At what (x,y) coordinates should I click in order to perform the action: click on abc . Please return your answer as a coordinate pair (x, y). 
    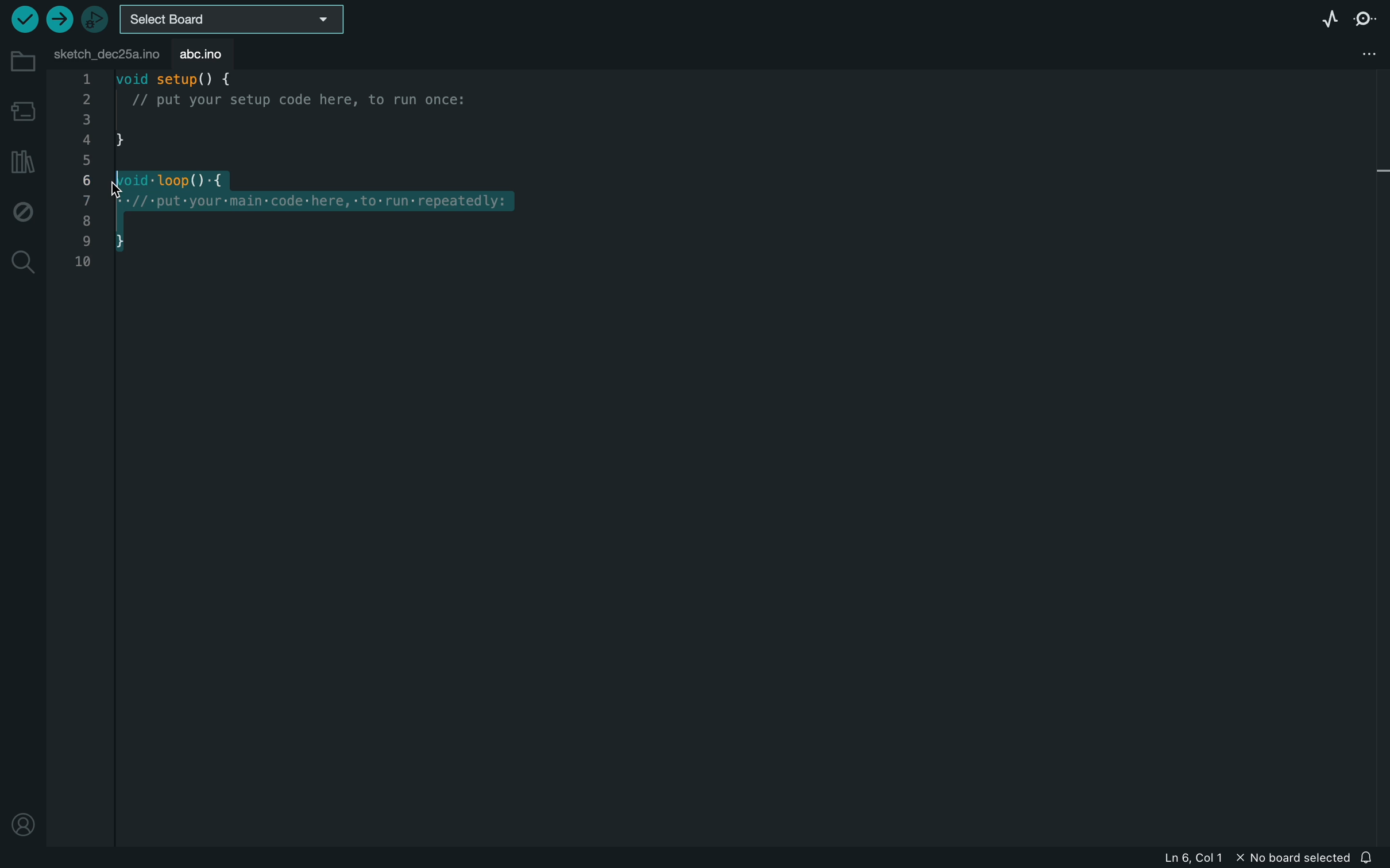
    Looking at the image, I should click on (201, 52).